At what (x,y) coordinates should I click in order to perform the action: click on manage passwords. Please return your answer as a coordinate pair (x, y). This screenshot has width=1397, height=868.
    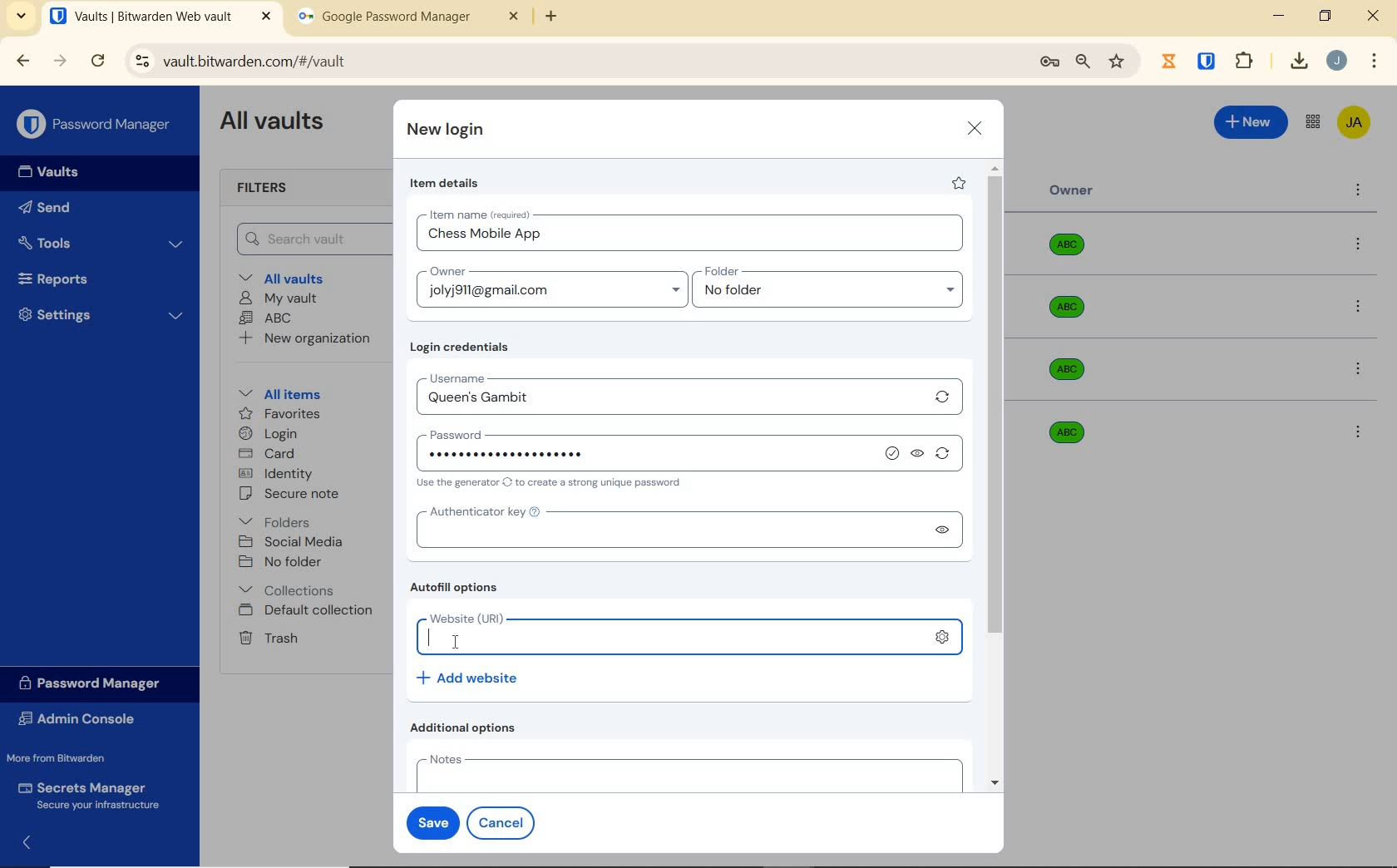
    Looking at the image, I should click on (1049, 62).